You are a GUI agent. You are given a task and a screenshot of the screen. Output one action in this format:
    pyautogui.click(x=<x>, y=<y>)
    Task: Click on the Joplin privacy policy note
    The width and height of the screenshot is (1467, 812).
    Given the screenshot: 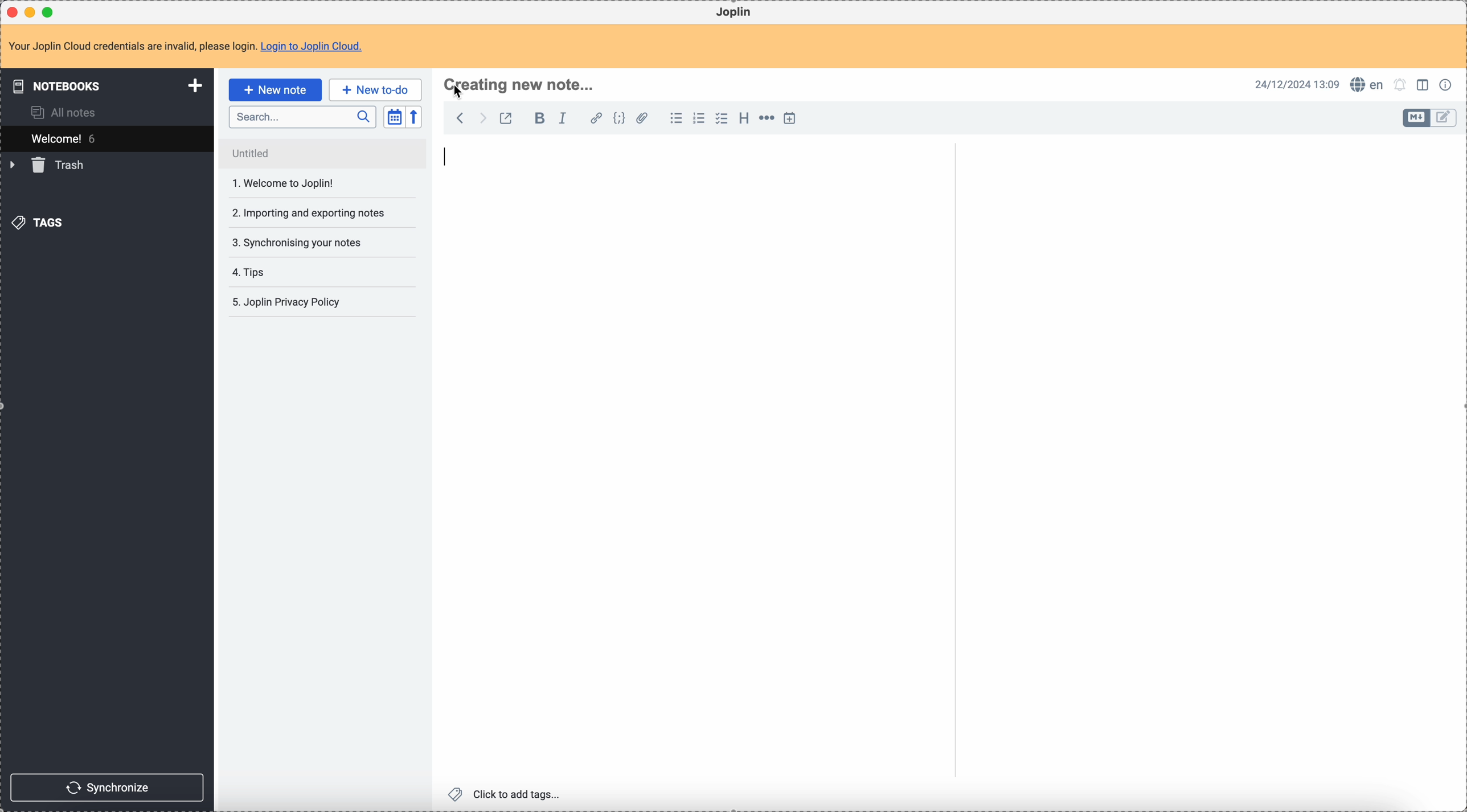 What is the action you would take?
    pyautogui.click(x=289, y=302)
    